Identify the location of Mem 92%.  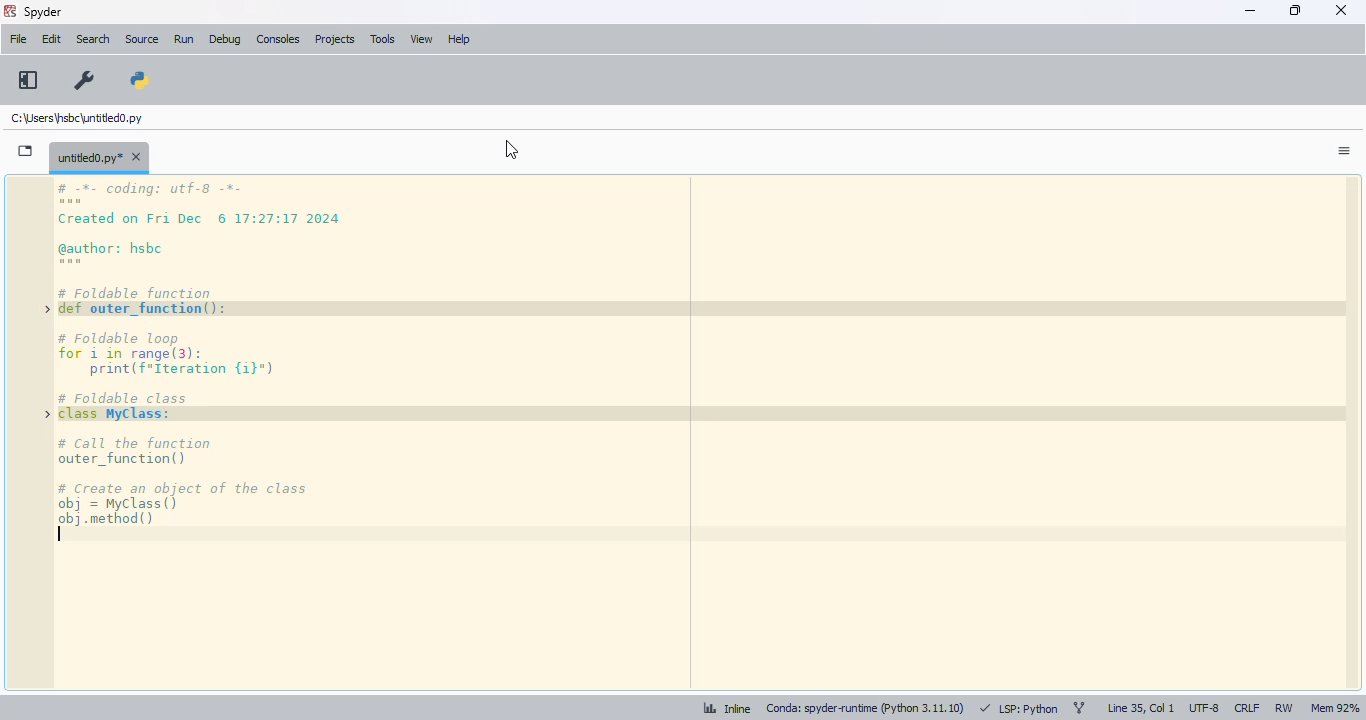
(1334, 708).